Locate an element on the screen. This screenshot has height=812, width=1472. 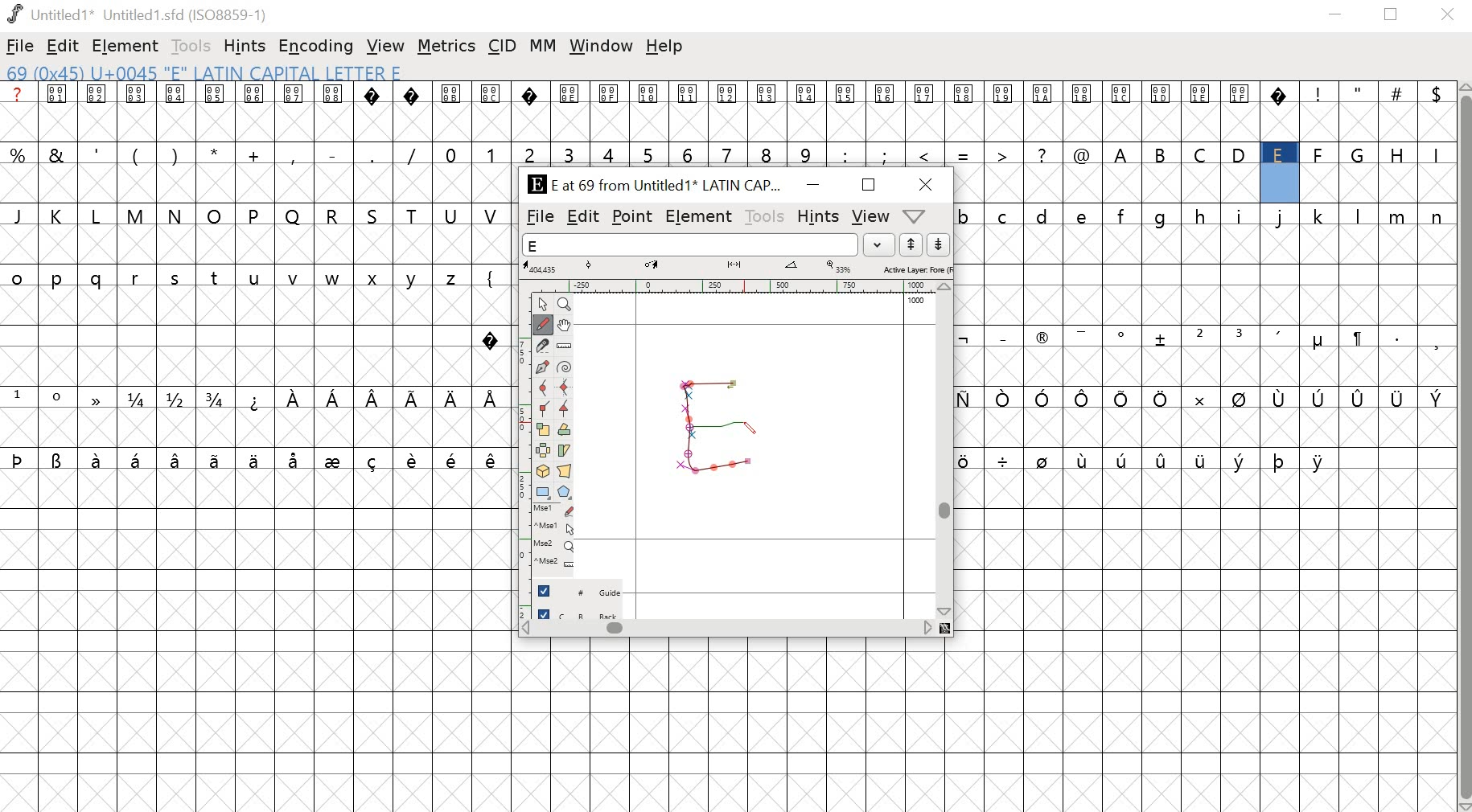
back layer is located at coordinates (578, 615).